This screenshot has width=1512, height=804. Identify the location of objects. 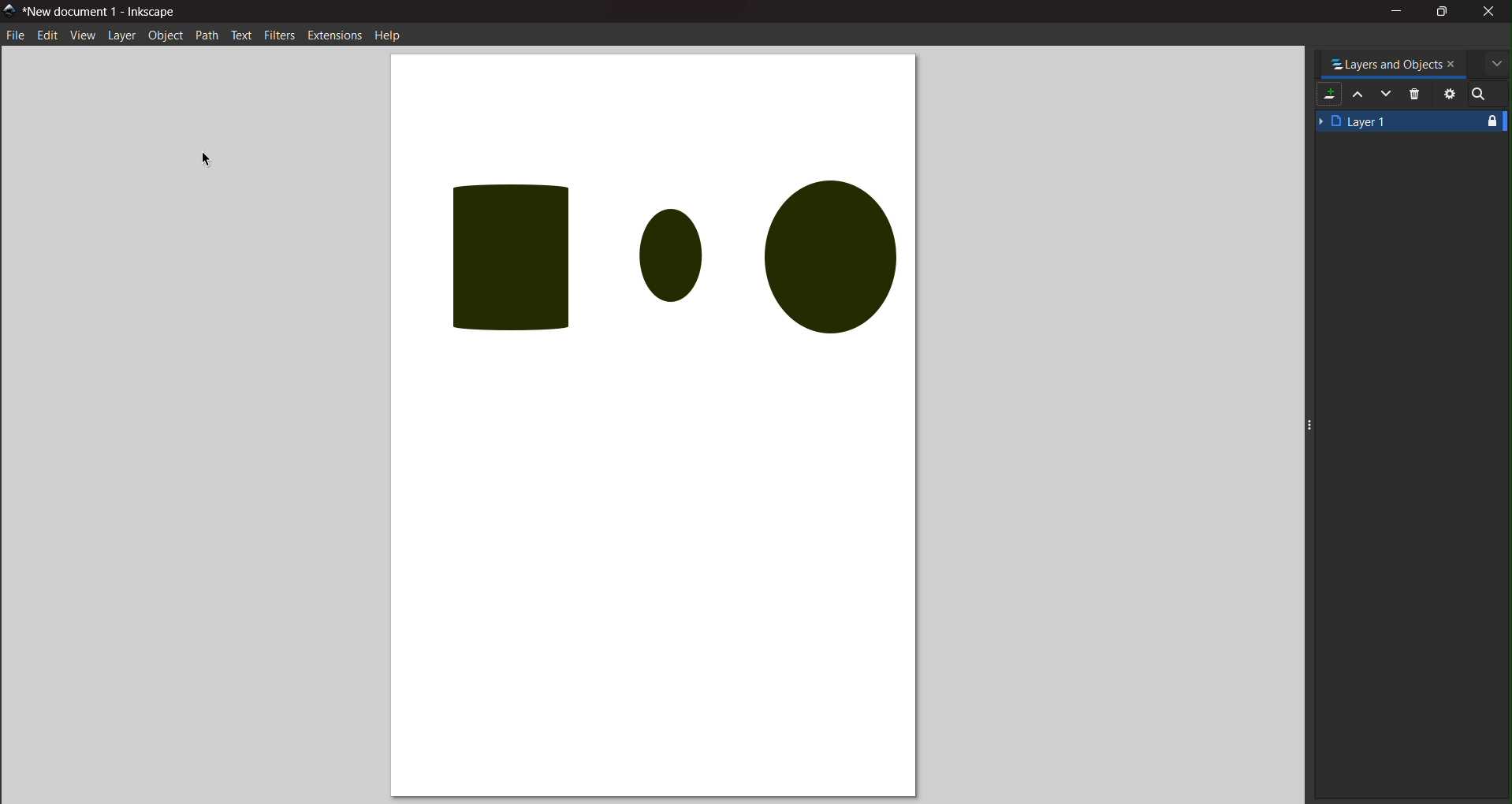
(651, 251).